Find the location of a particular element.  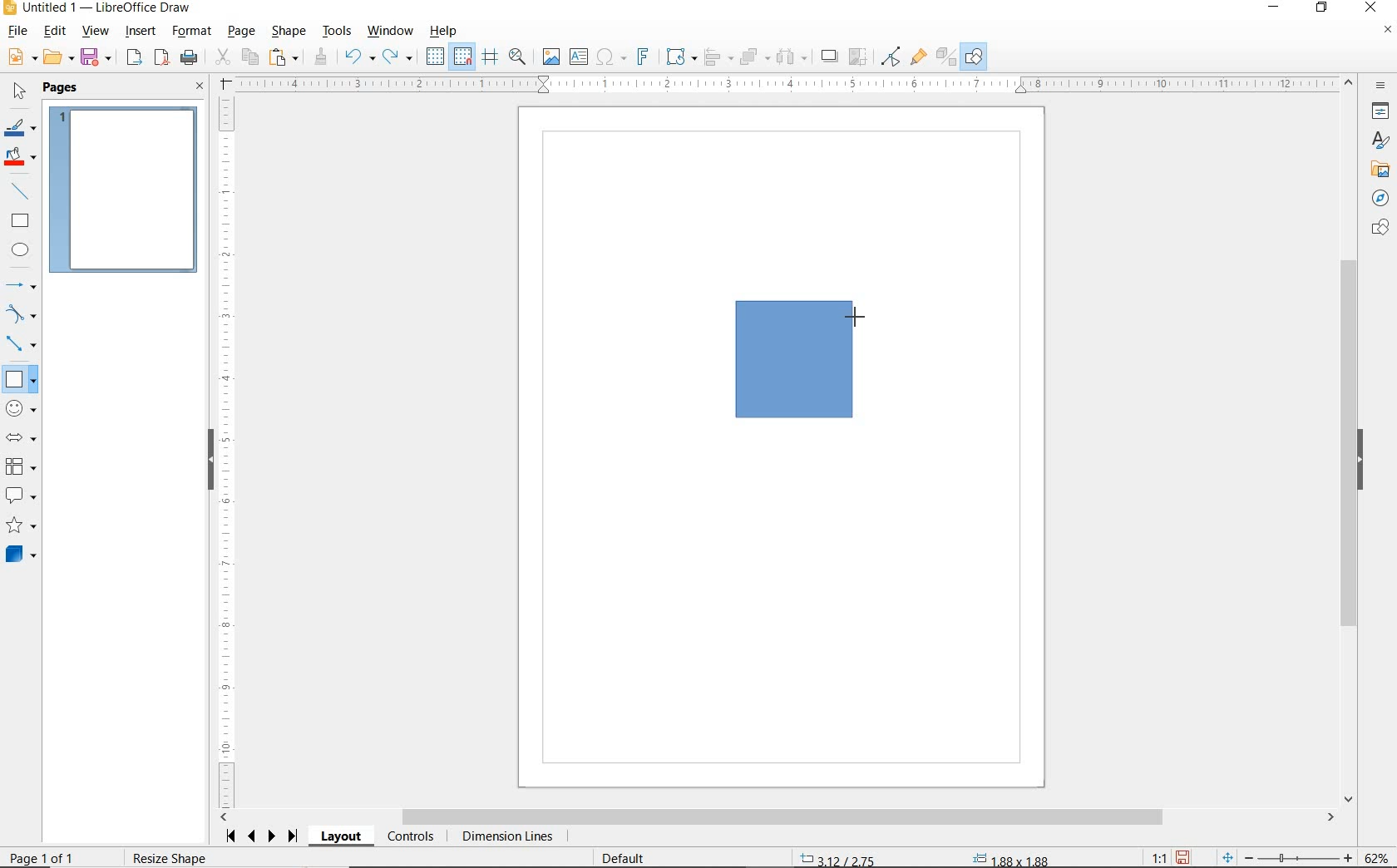

BLOCK ARROWS is located at coordinates (26, 437).